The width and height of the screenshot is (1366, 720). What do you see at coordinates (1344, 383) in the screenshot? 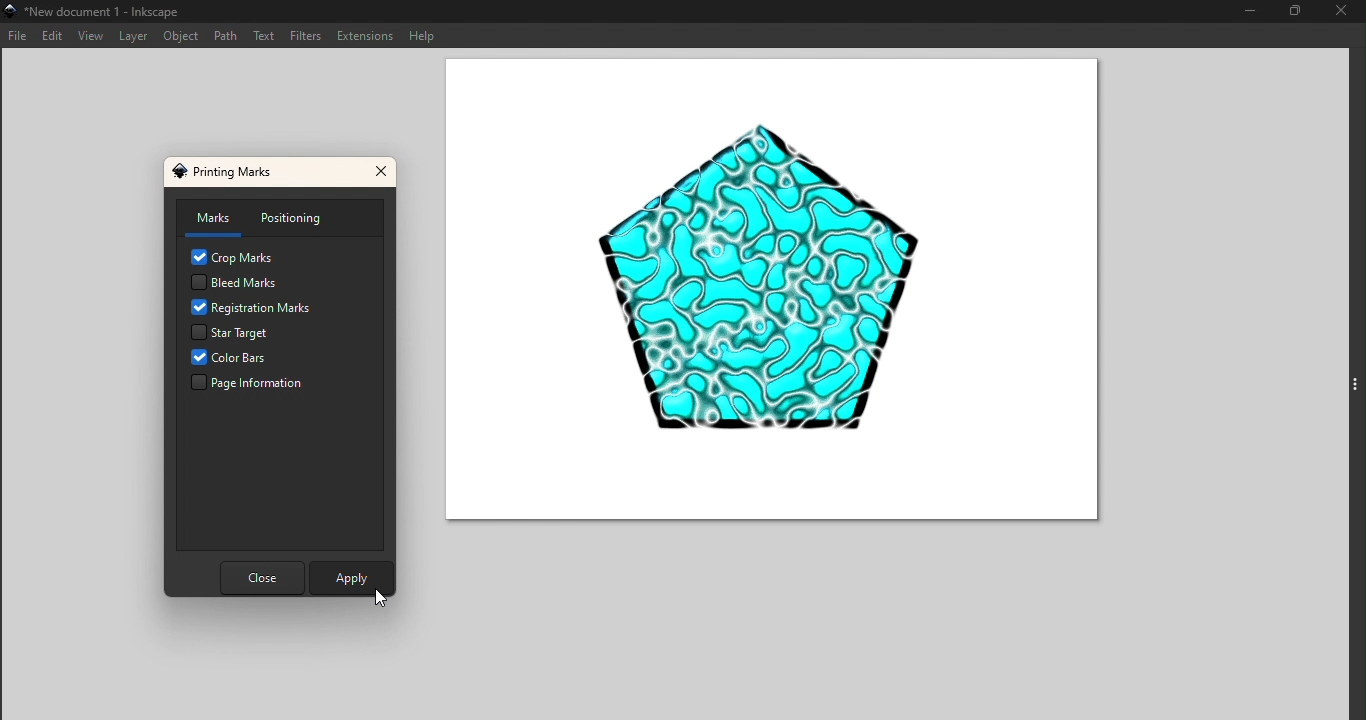
I see `Toggle command panel` at bounding box center [1344, 383].